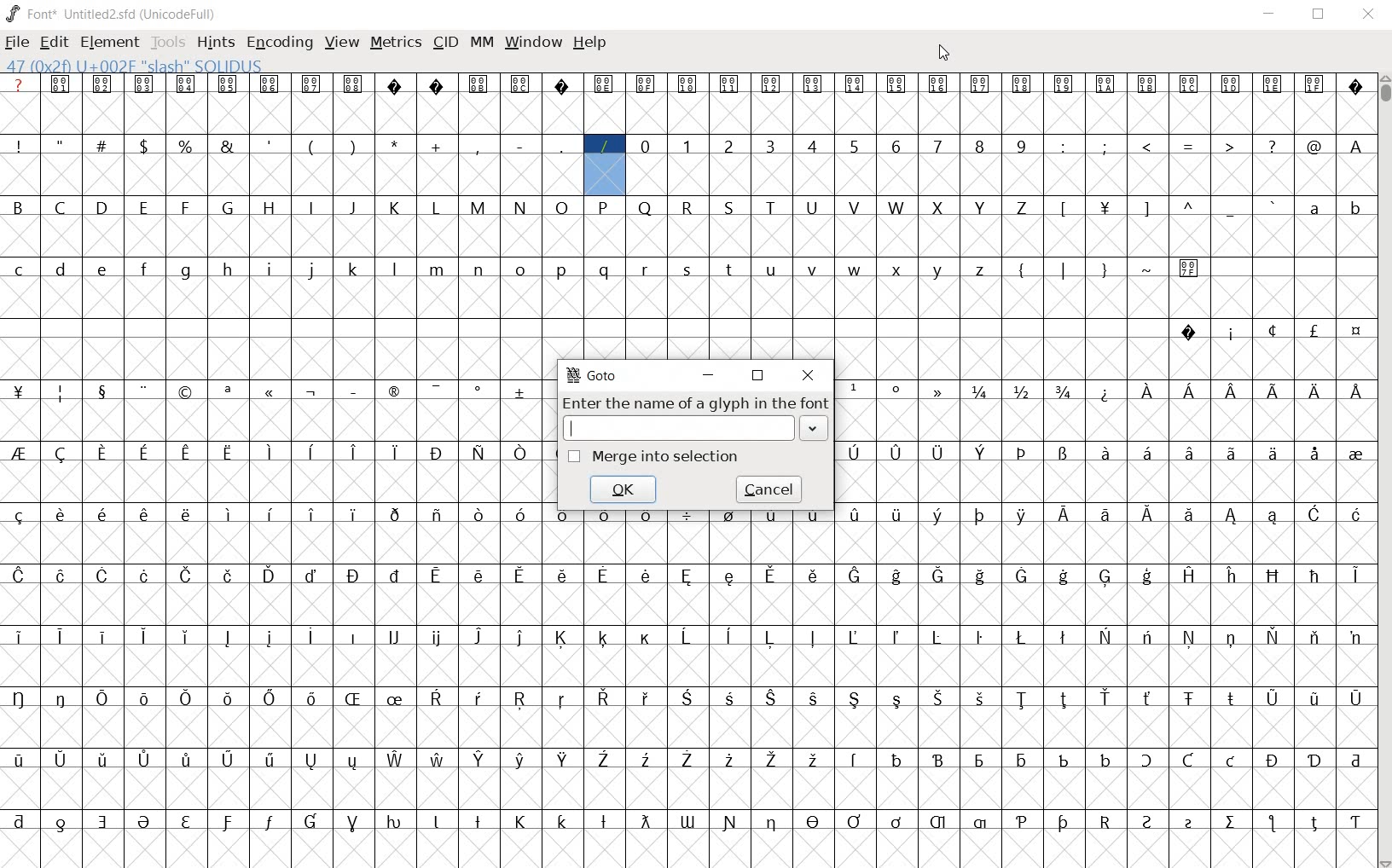 Image resolution: width=1392 pixels, height=868 pixels. What do you see at coordinates (19, 453) in the screenshot?
I see `glyph` at bounding box center [19, 453].